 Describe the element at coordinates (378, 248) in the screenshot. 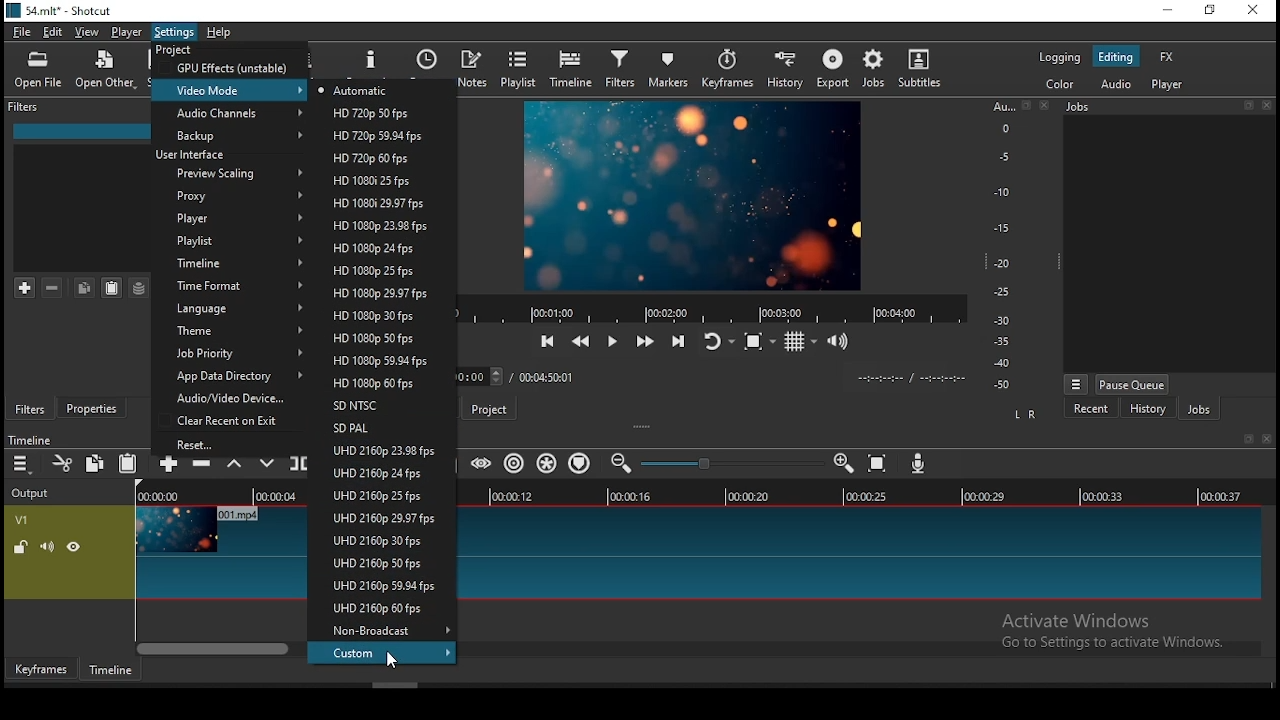

I see `resolution option` at that location.